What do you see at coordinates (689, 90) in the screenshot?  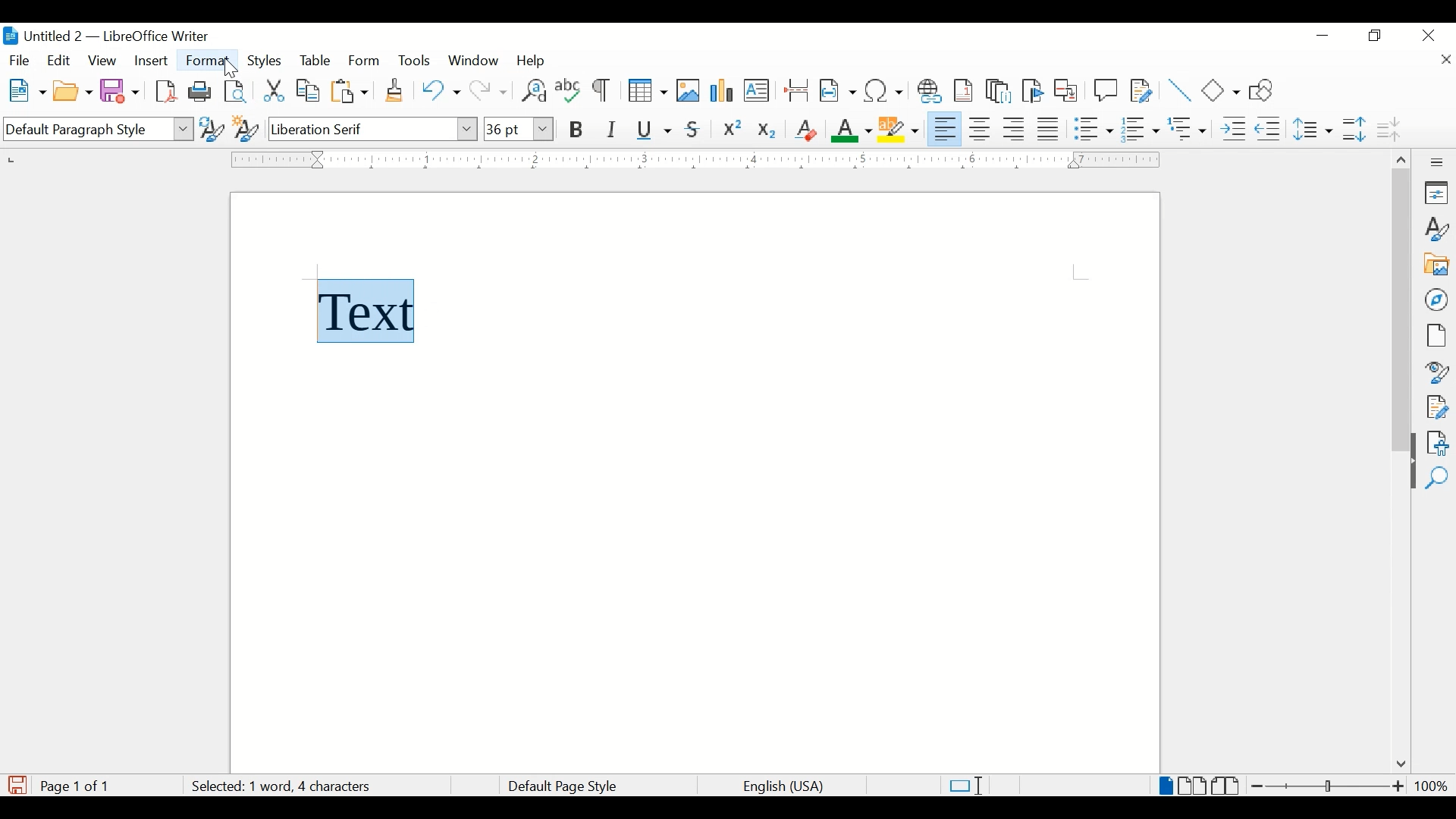 I see `insert image` at bounding box center [689, 90].